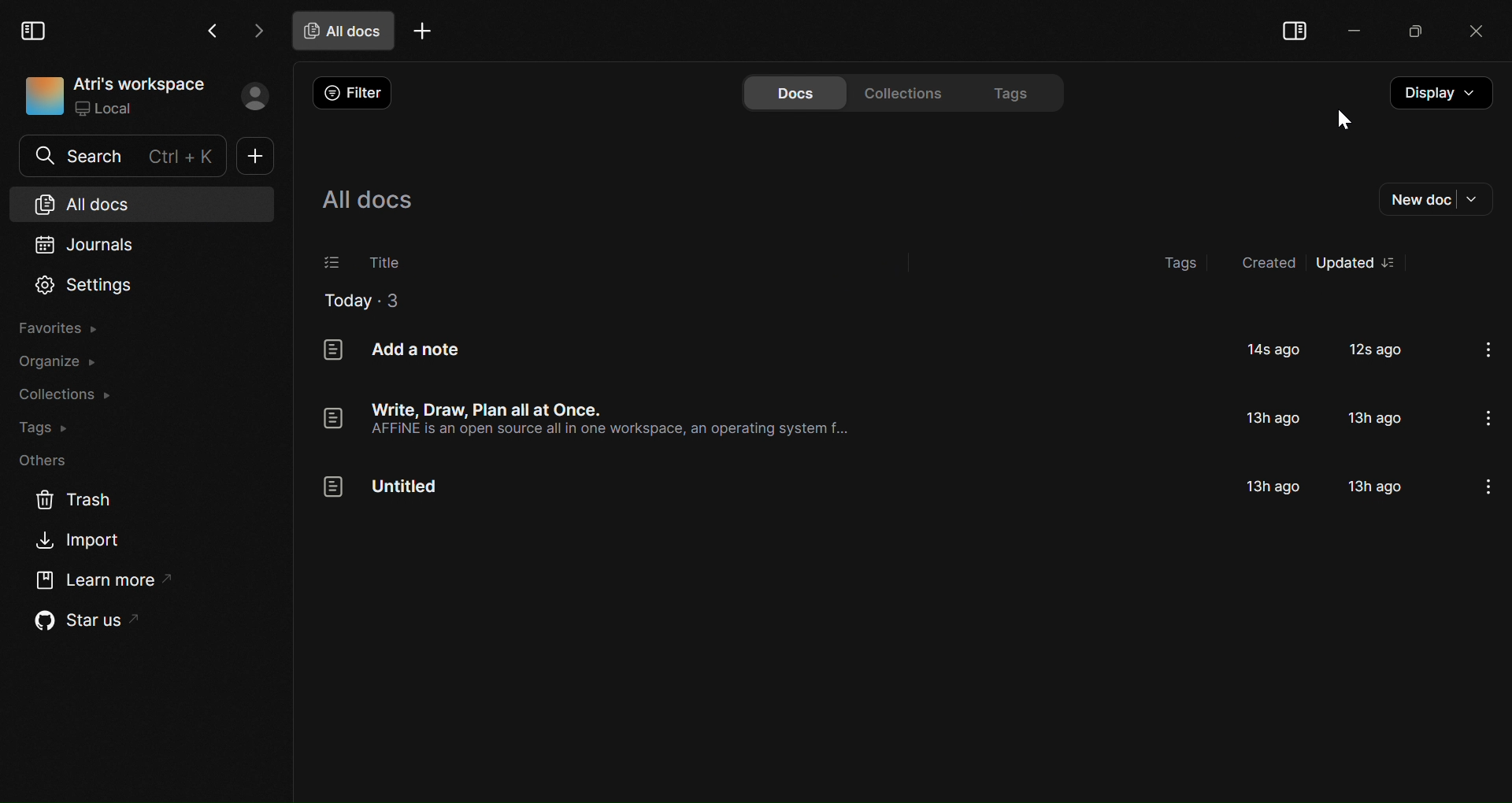 This screenshot has width=1512, height=803. What do you see at coordinates (1373, 485) in the screenshot?
I see `13h ago` at bounding box center [1373, 485].